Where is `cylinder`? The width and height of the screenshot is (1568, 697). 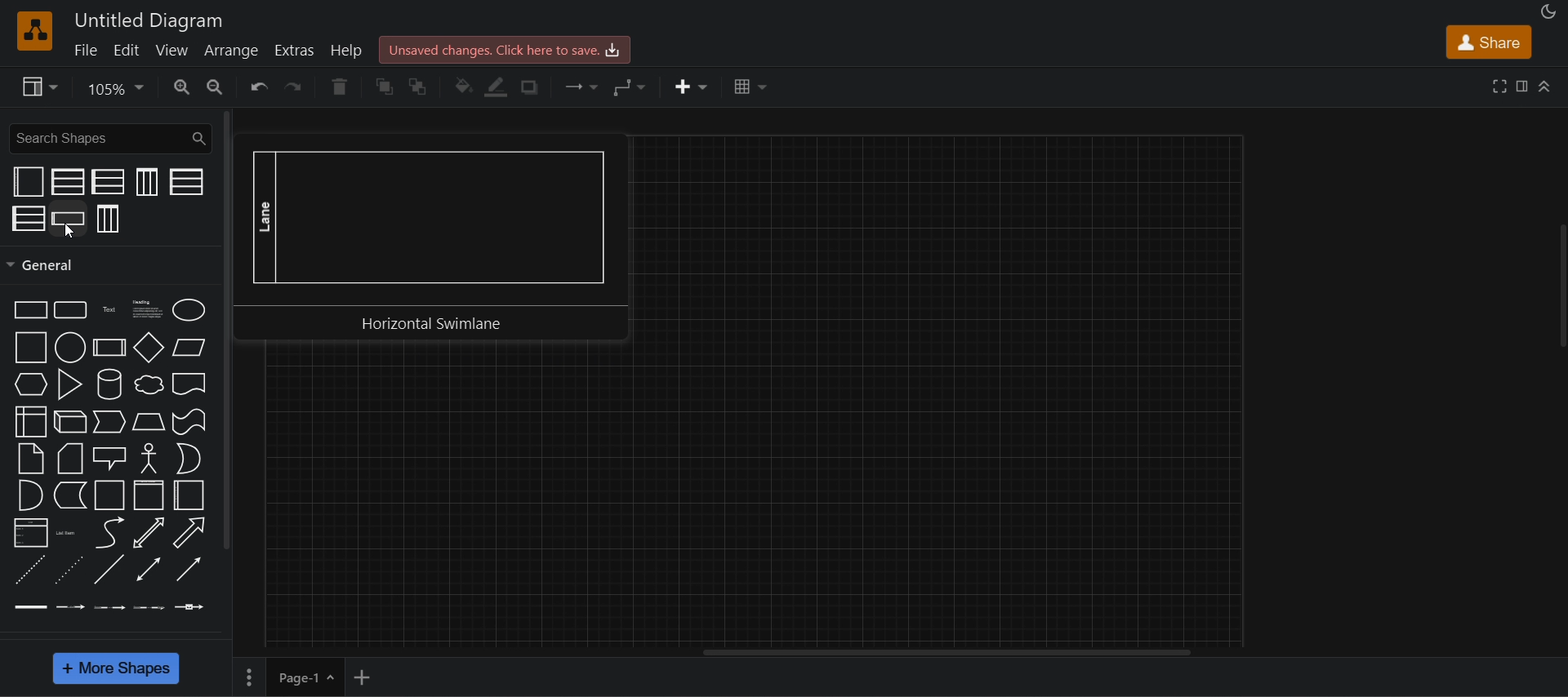 cylinder is located at coordinates (107, 384).